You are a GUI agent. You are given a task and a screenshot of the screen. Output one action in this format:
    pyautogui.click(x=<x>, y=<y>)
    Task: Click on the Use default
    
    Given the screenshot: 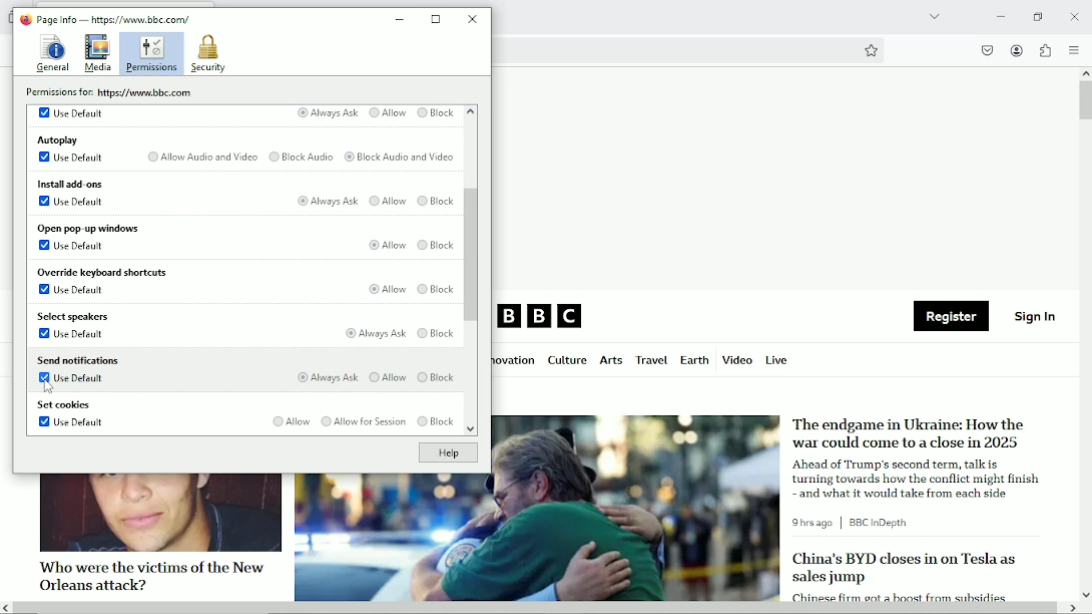 What is the action you would take?
    pyautogui.click(x=72, y=381)
    